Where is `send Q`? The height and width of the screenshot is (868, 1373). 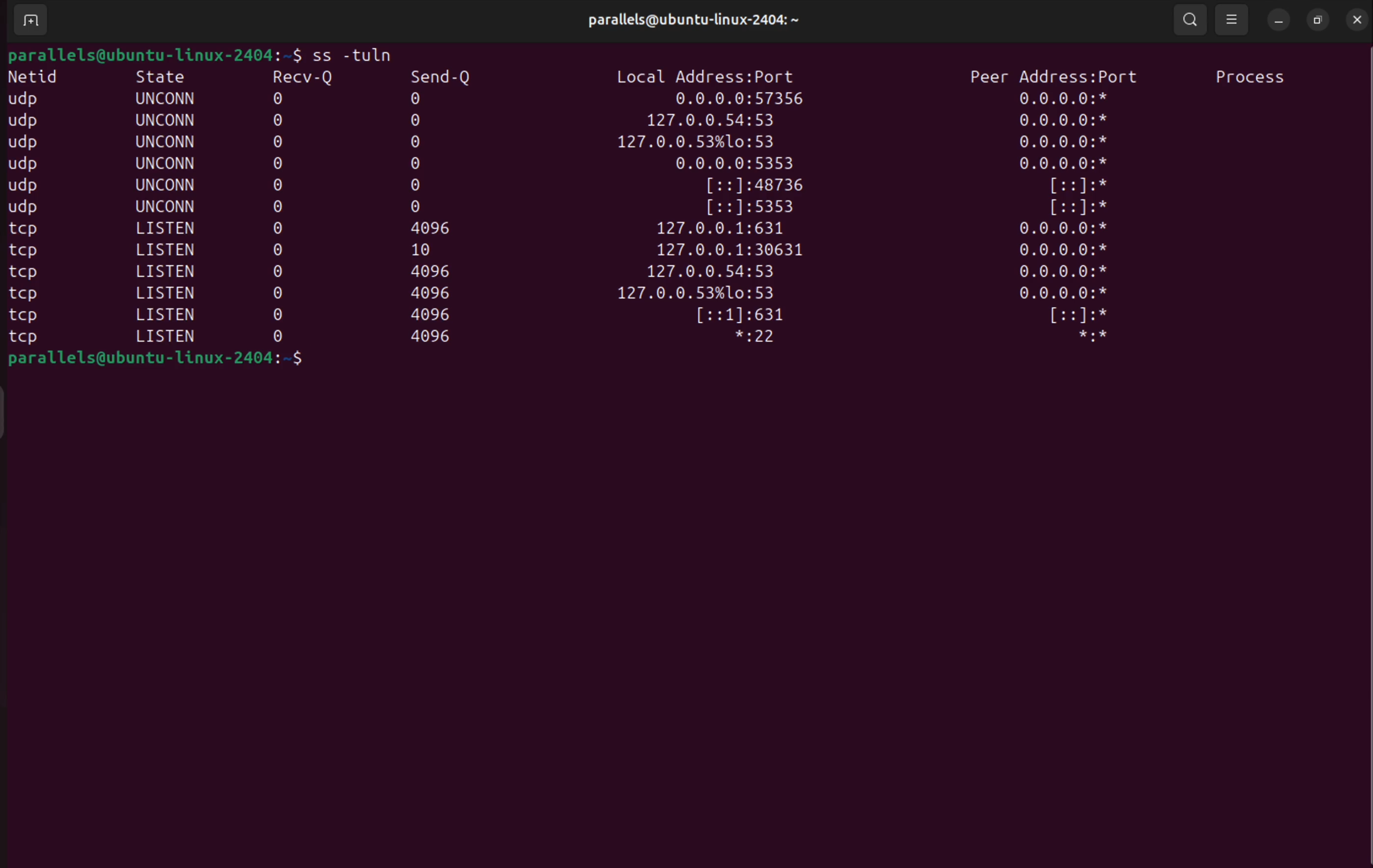 send Q is located at coordinates (448, 75).